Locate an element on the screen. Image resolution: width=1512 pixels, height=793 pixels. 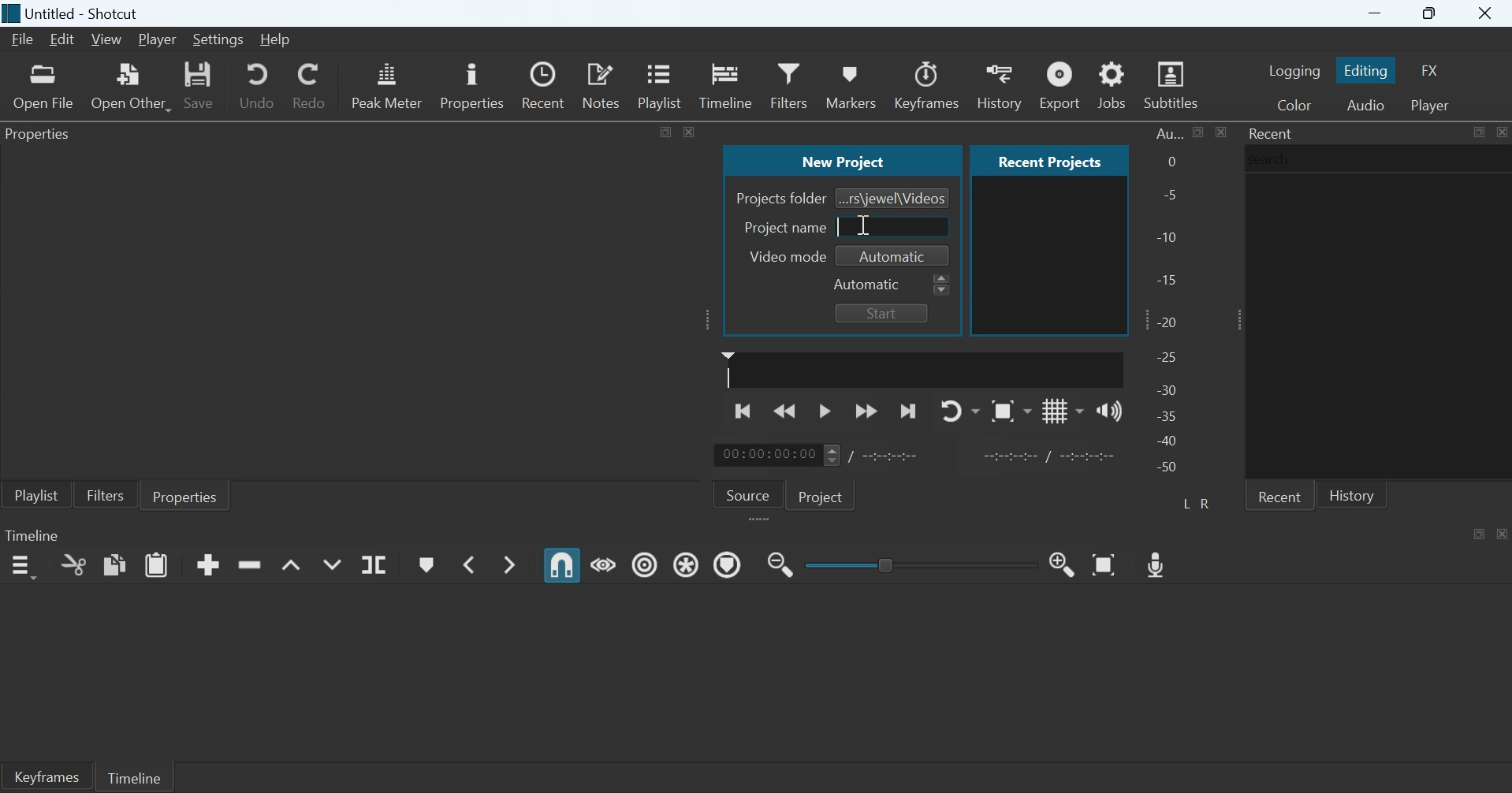
Toggle player looping is located at coordinates (960, 411).